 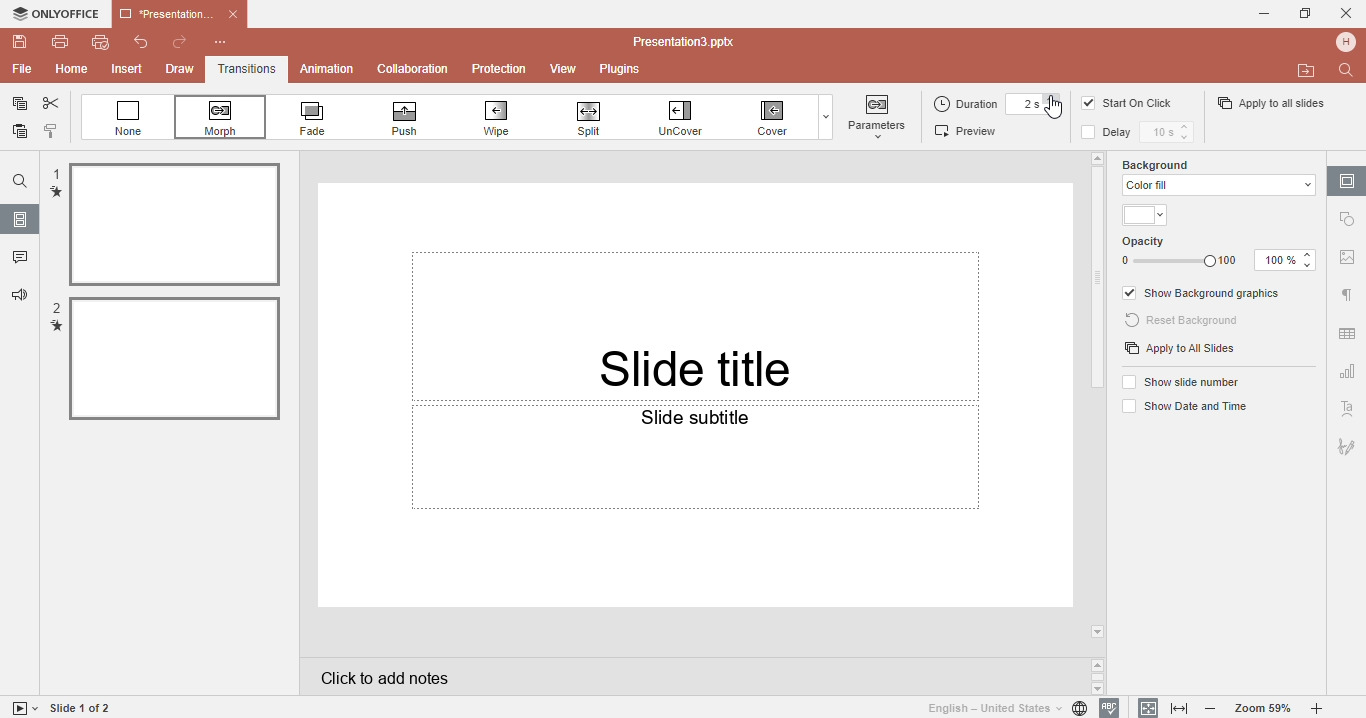 I want to click on Background, so click(x=1172, y=163).